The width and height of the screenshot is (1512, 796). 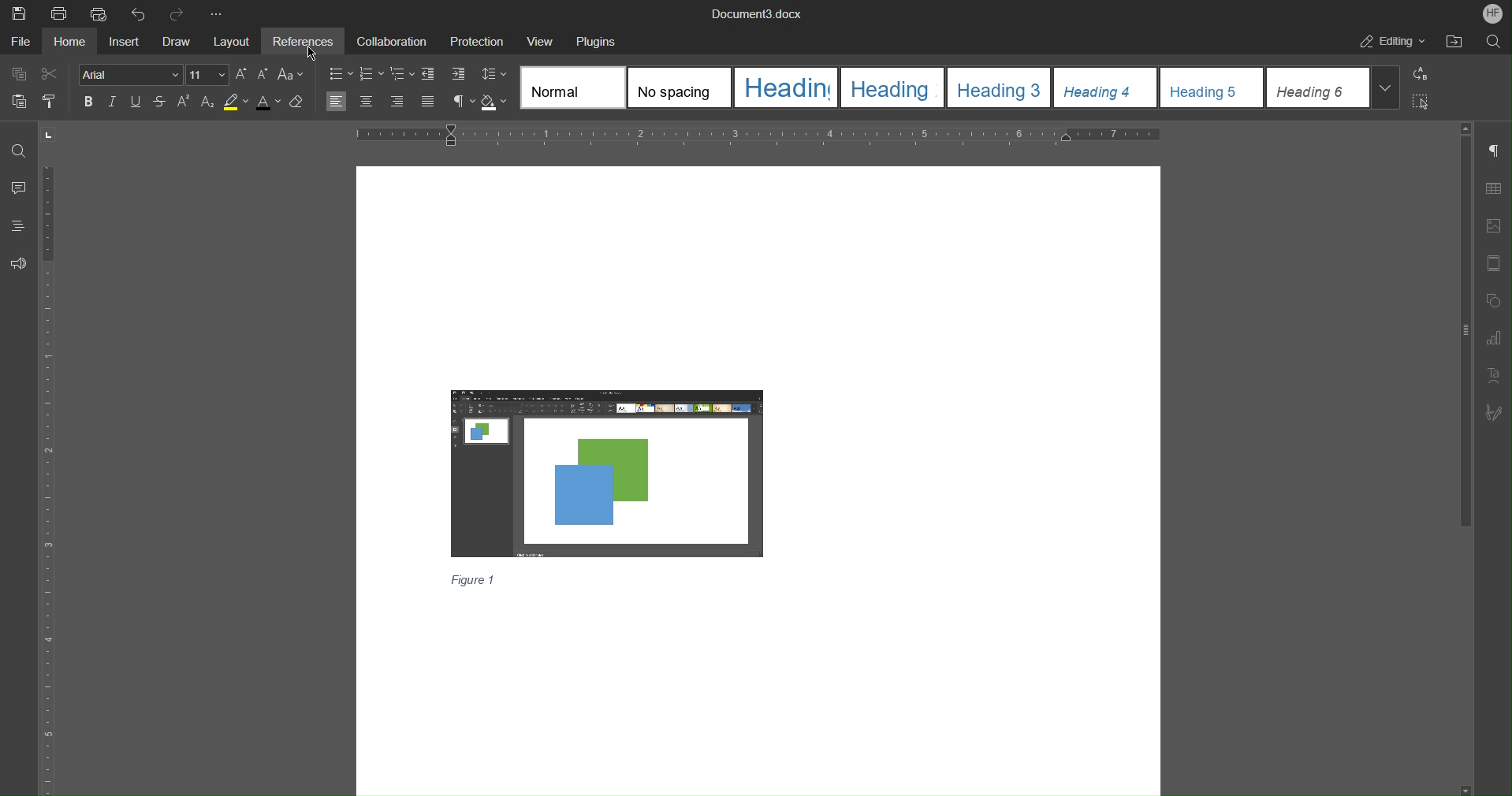 What do you see at coordinates (16, 225) in the screenshot?
I see `Headings` at bounding box center [16, 225].